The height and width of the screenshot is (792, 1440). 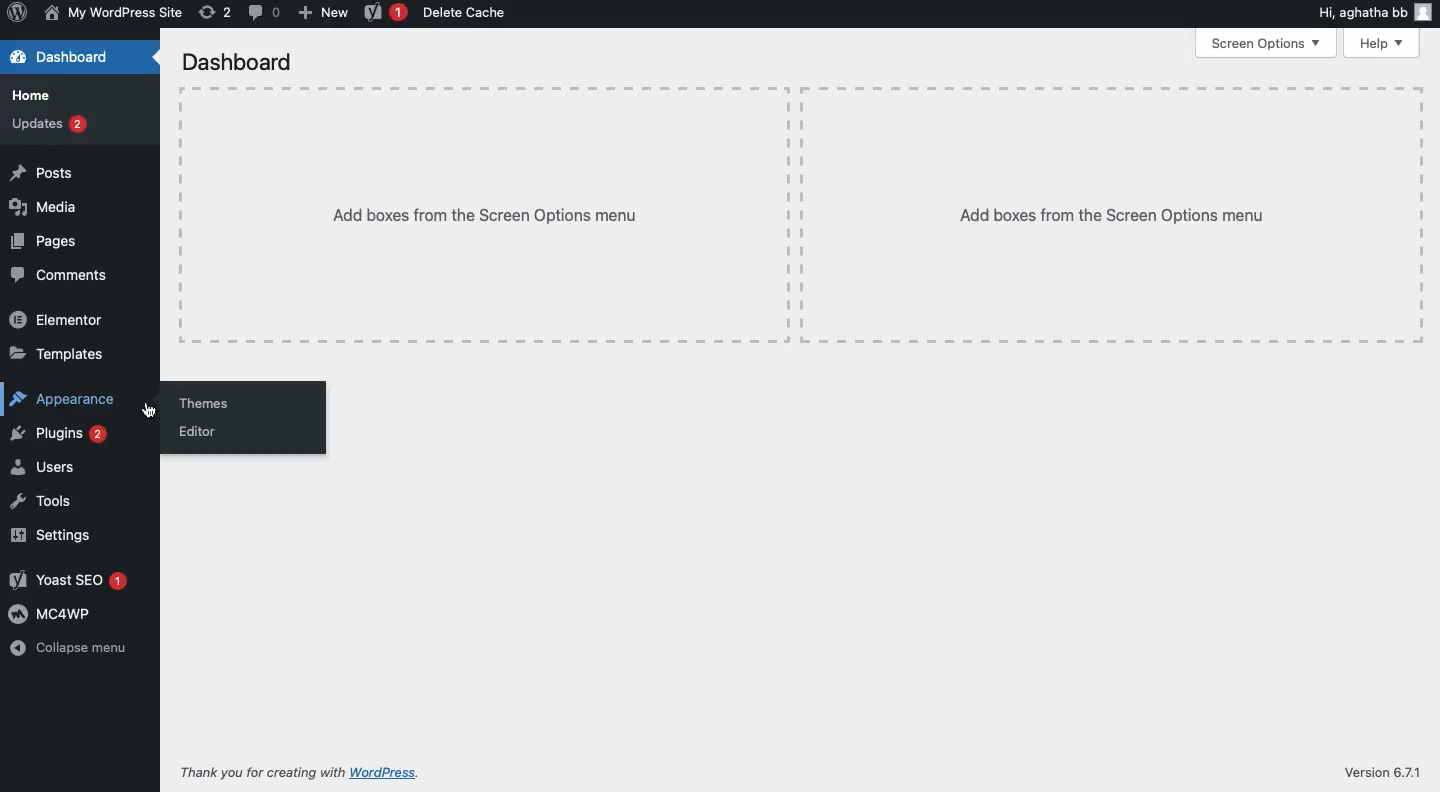 I want to click on Thank you for creating with, so click(x=261, y=773).